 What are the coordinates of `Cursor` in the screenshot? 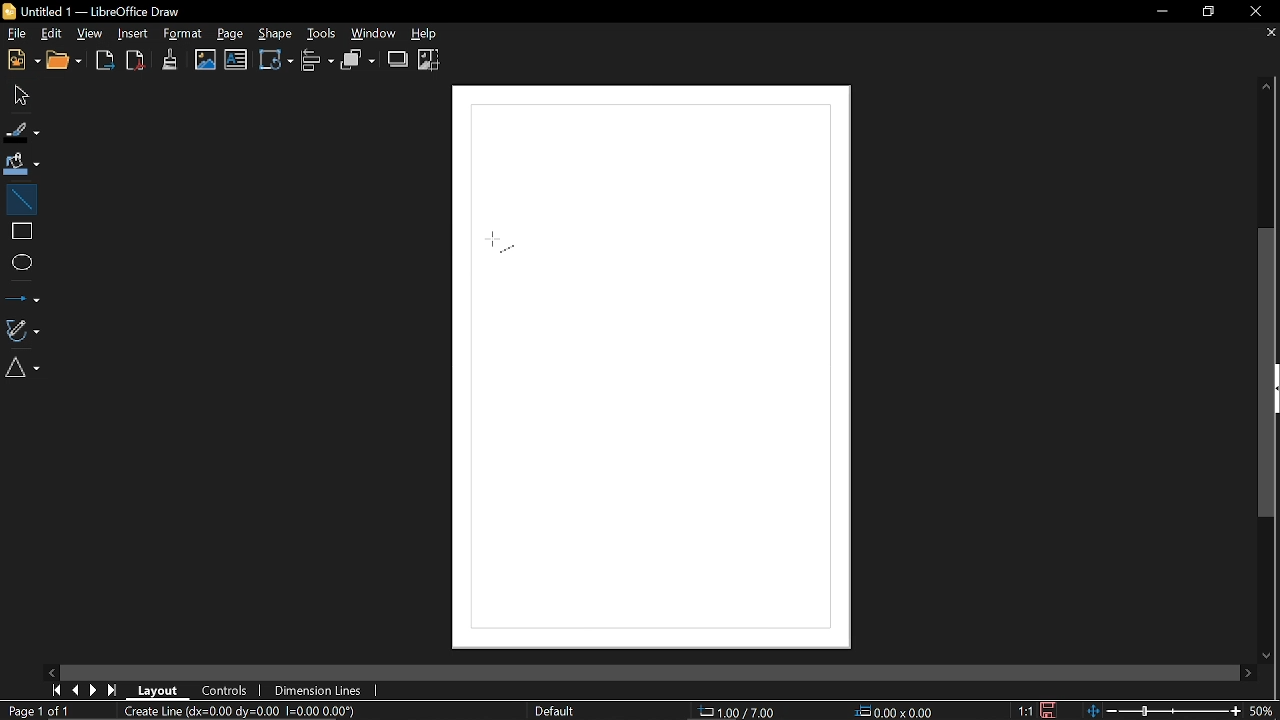 It's located at (502, 243).